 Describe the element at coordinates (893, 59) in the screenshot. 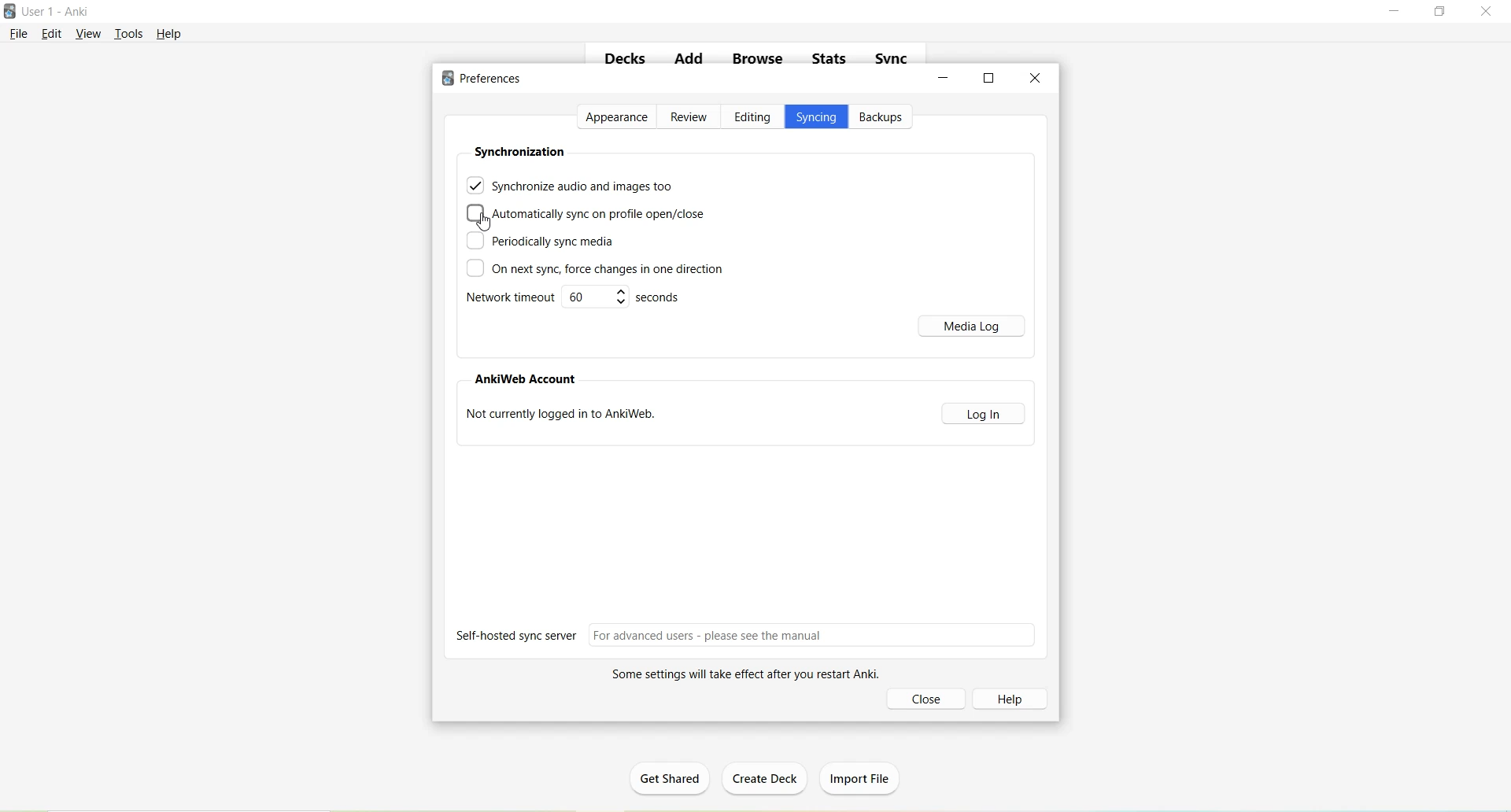

I see `Sync` at that location.